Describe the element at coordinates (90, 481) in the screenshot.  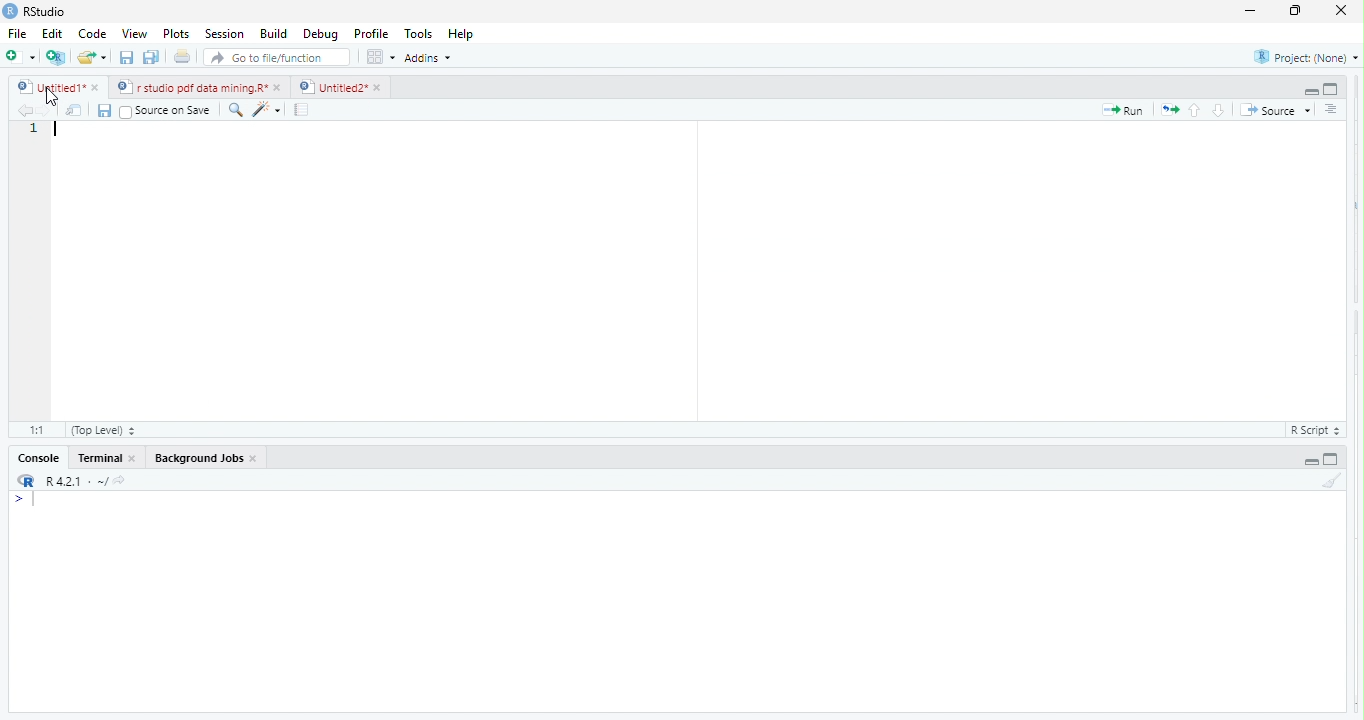
I see ` R421: ~/` at that location.